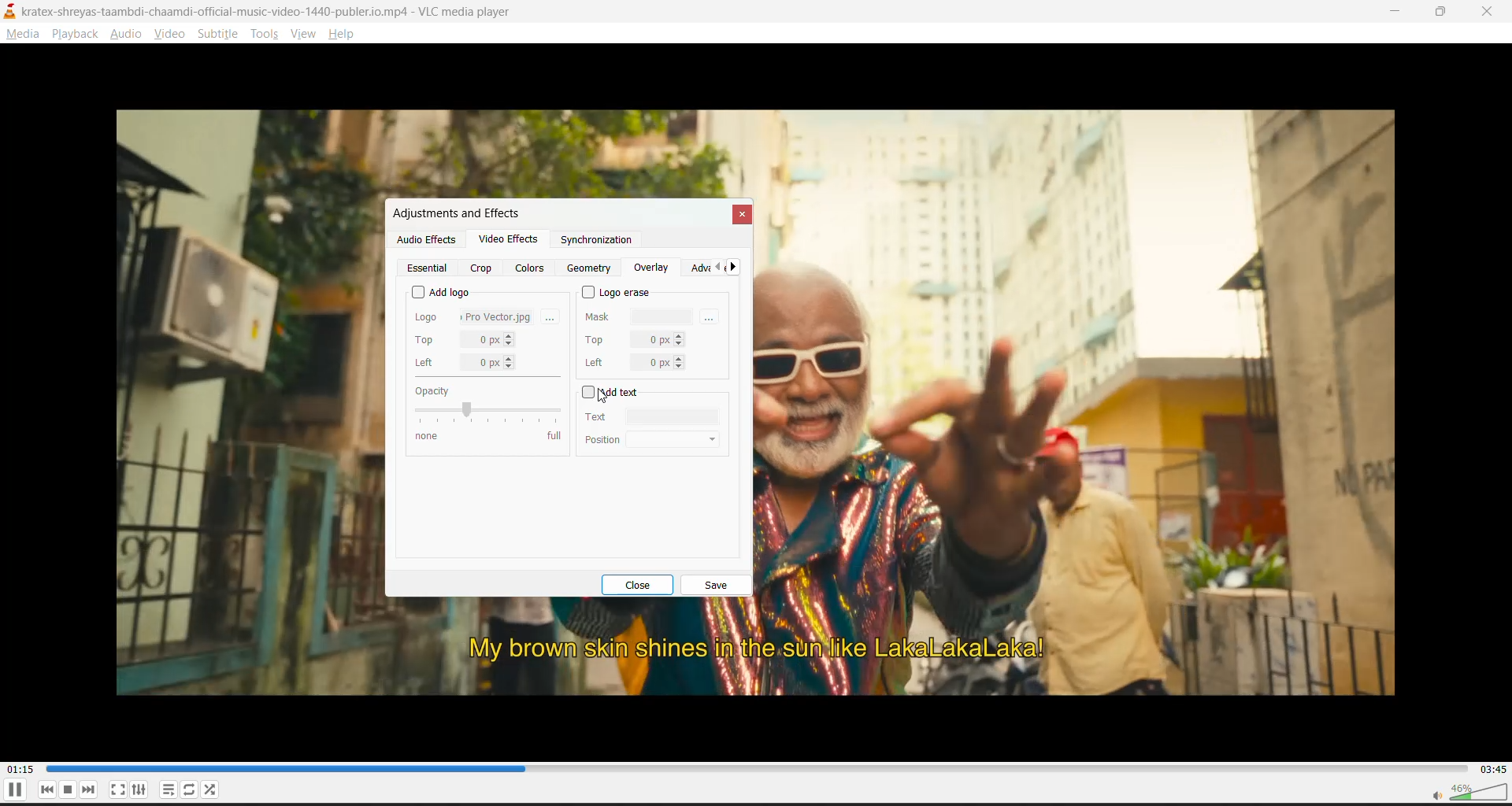 This screenshot has height=806, width=1512. What do you see at coordinates (532, 268) in the screenshot?
I see `colors` at bounding box center [532, 268].